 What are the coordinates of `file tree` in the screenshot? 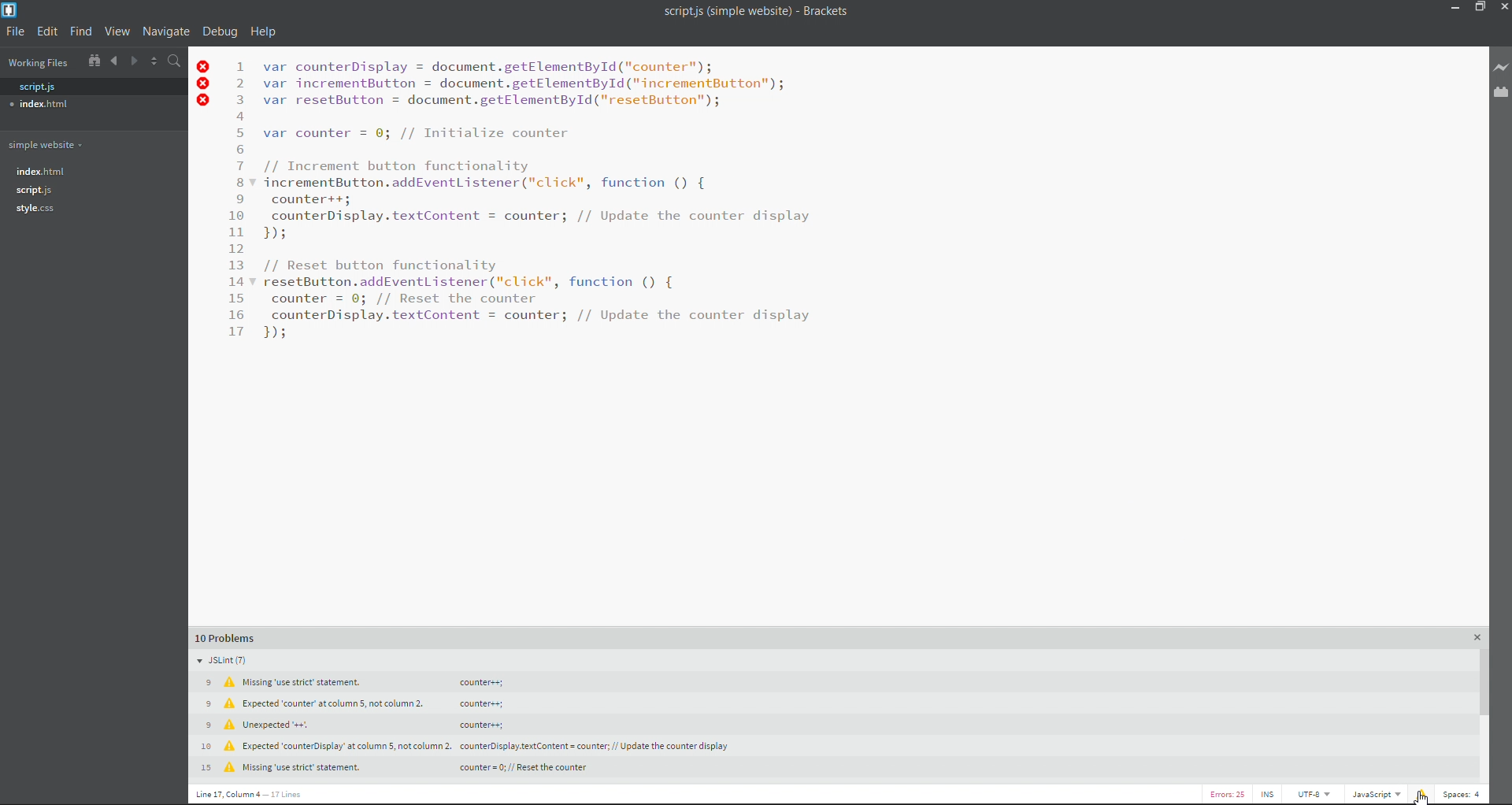 It's located at (94, 63).